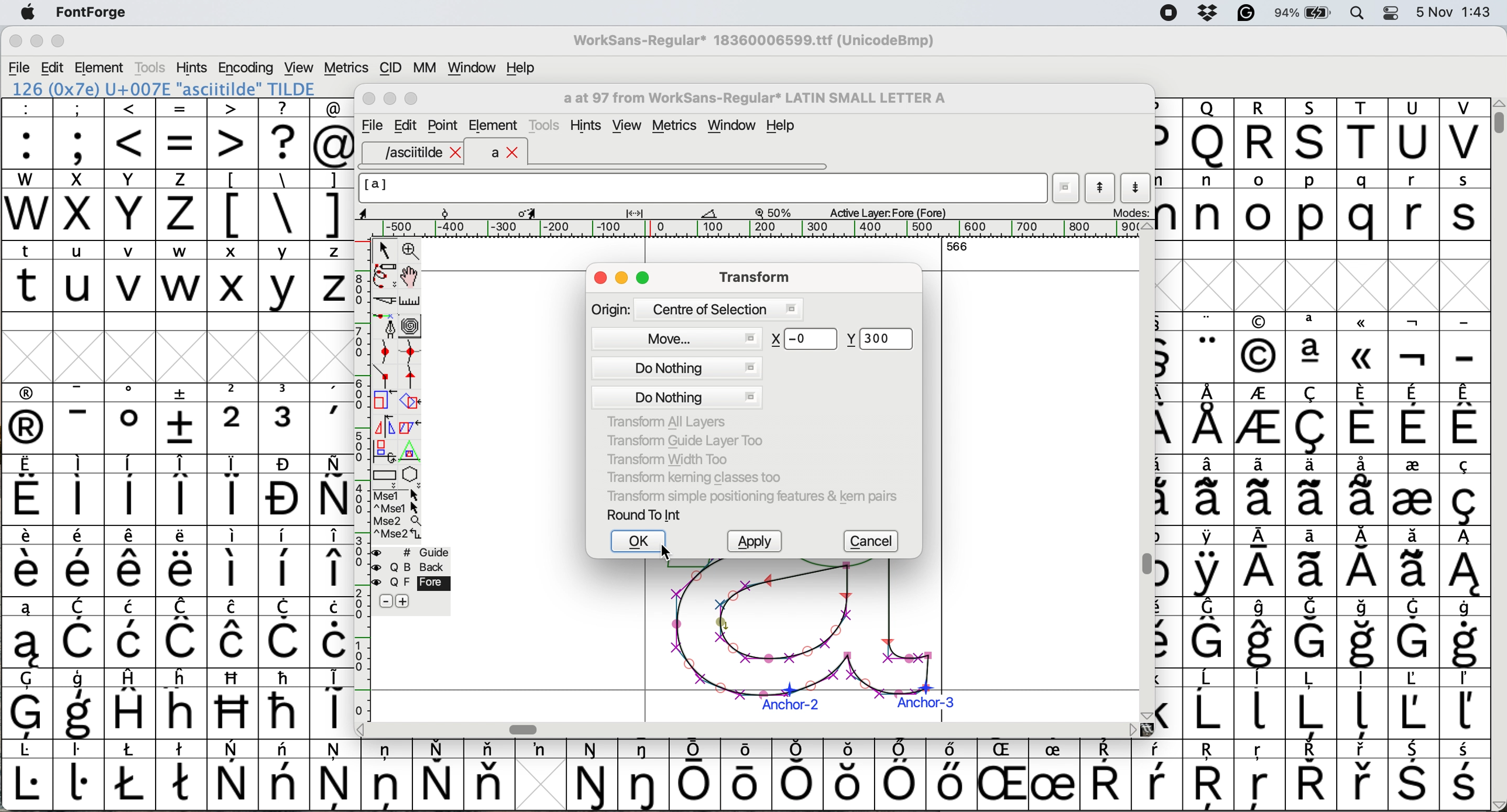 This screenshot has width=1507, height=812. I want to click on add, so click(404, 601).